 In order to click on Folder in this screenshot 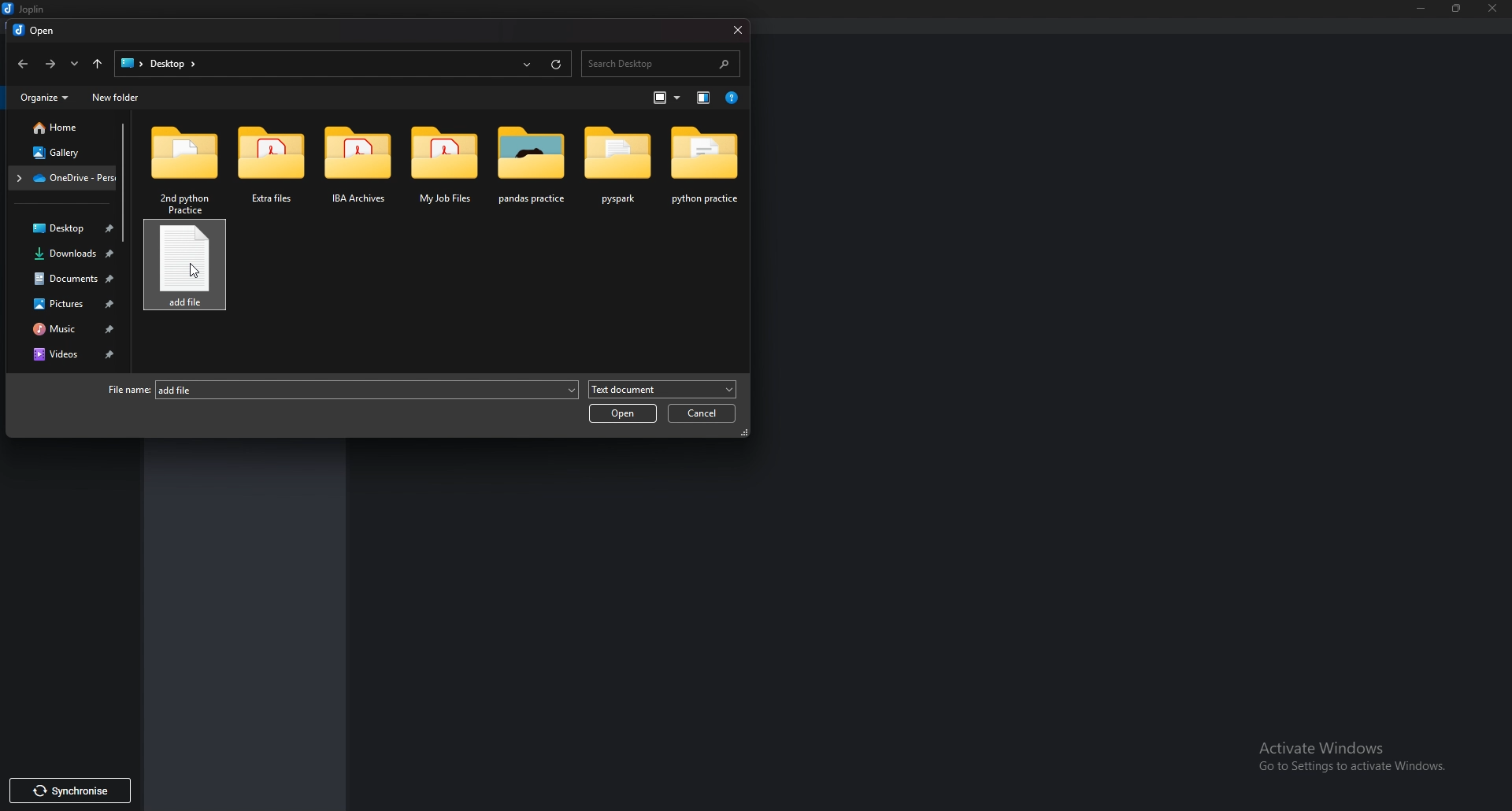, I will do `click(618, 167)`.